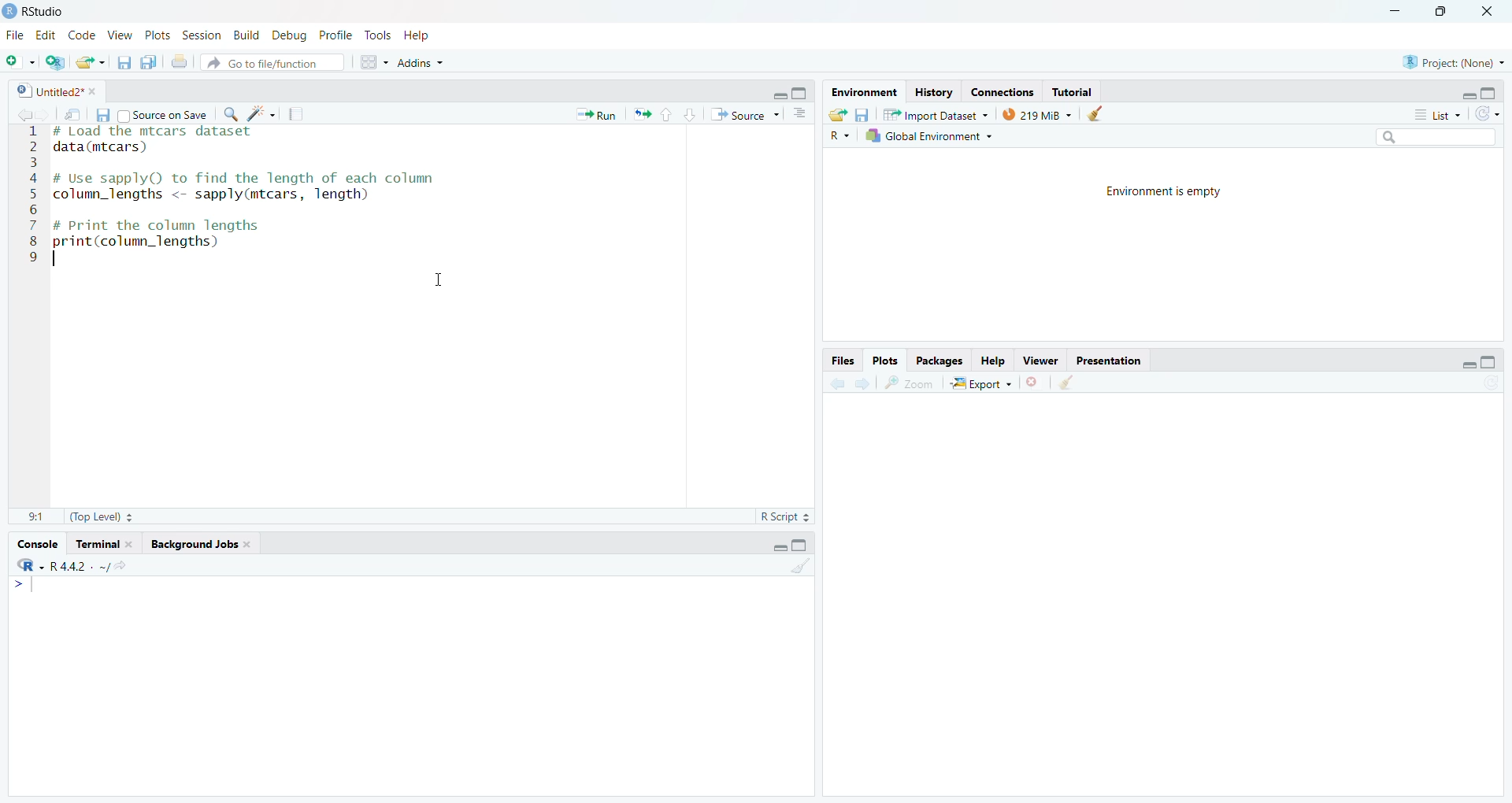 Image resolution: width=1512 pixels, height=803 pixels. What do you see at coordinates (991, 360) in the screenshot?
I see `Help.` at bounding box center [991, 360].